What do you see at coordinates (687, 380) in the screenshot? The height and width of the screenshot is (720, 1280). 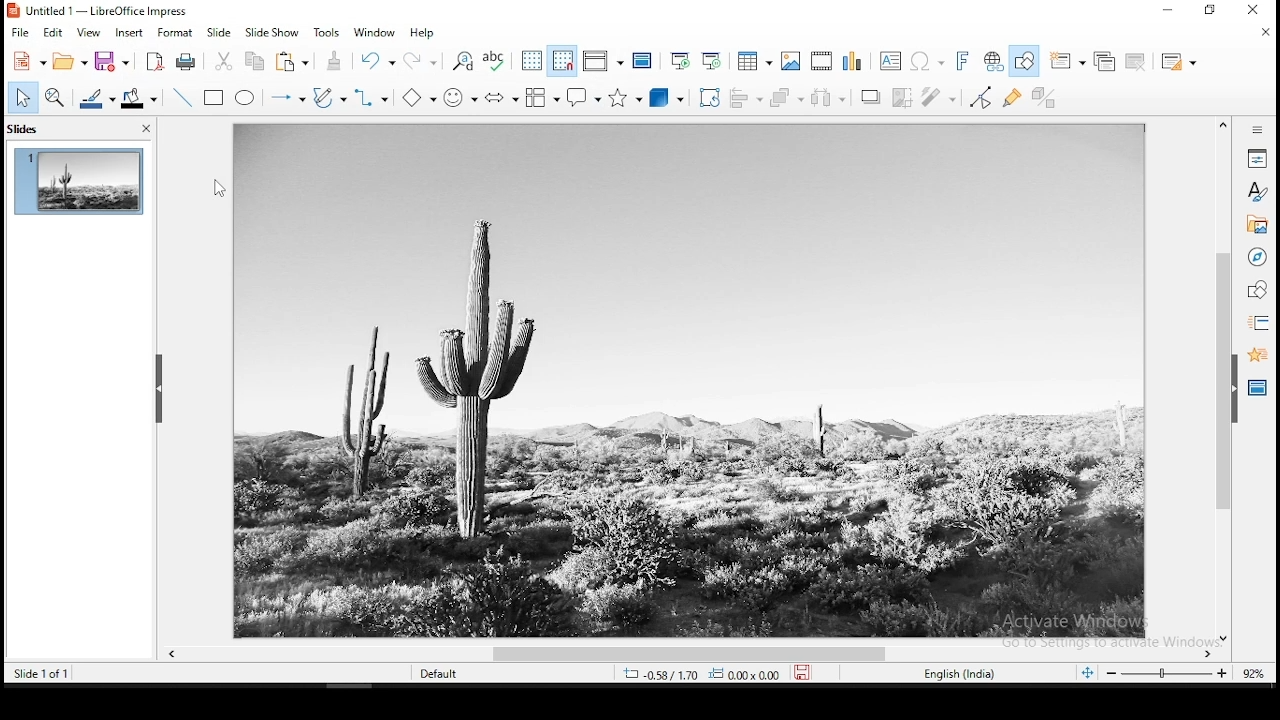 I see `background image` at bounding box center [687, 380].